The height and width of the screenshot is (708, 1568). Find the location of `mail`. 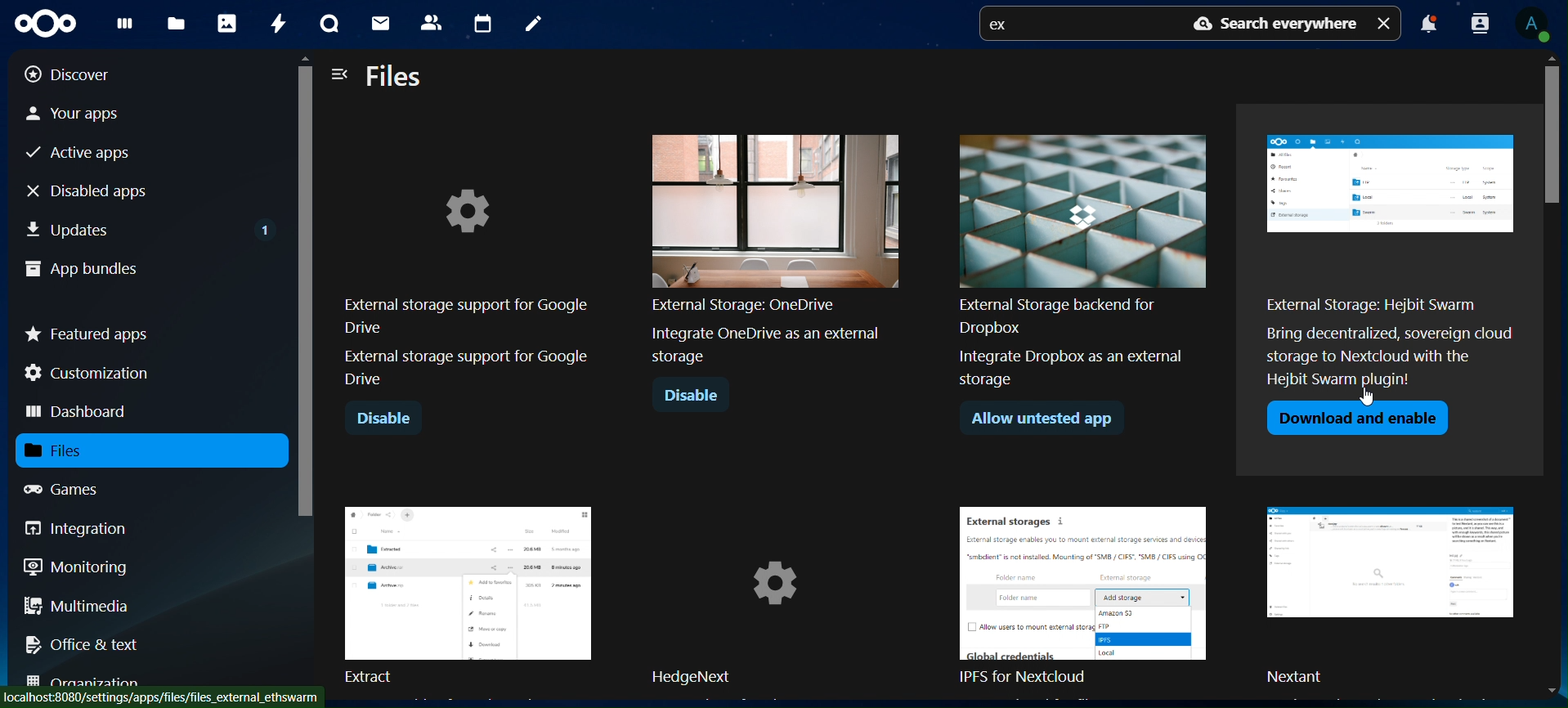

mail is located at coordinates (383, 25).